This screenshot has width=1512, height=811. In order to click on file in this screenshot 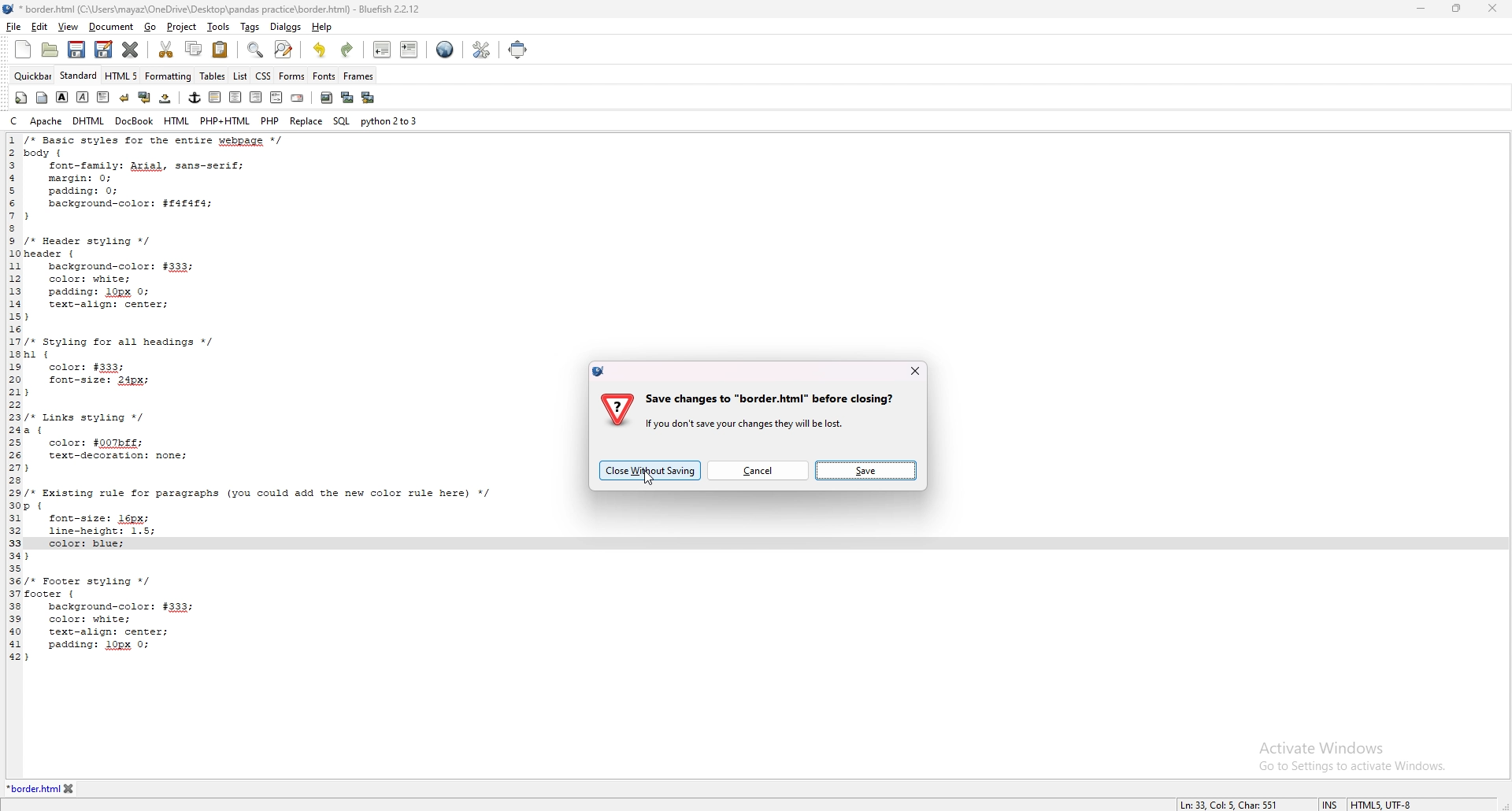, I will do `click(14, 27)`.